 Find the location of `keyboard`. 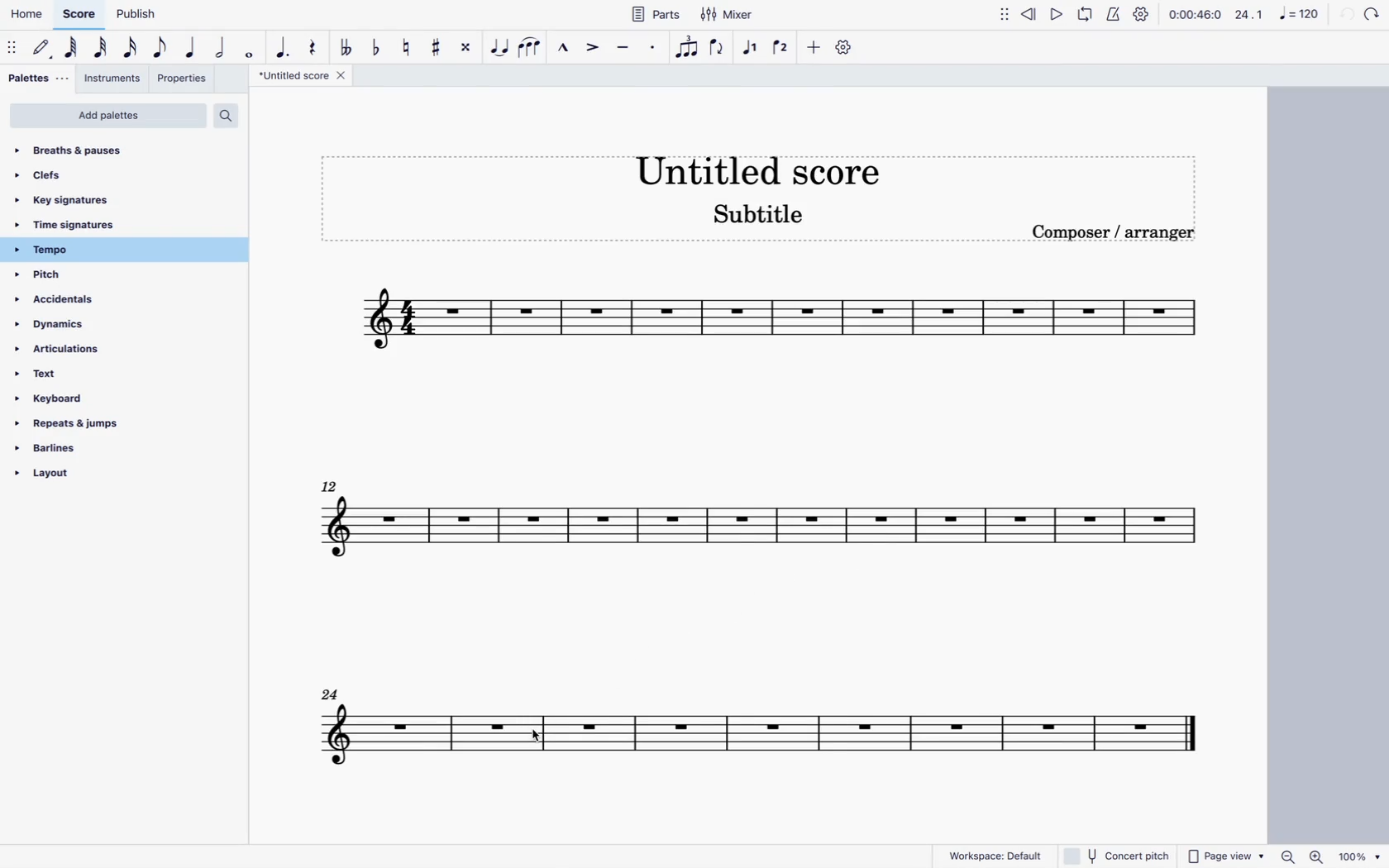

keyboard is located at coordinates (61, 398).